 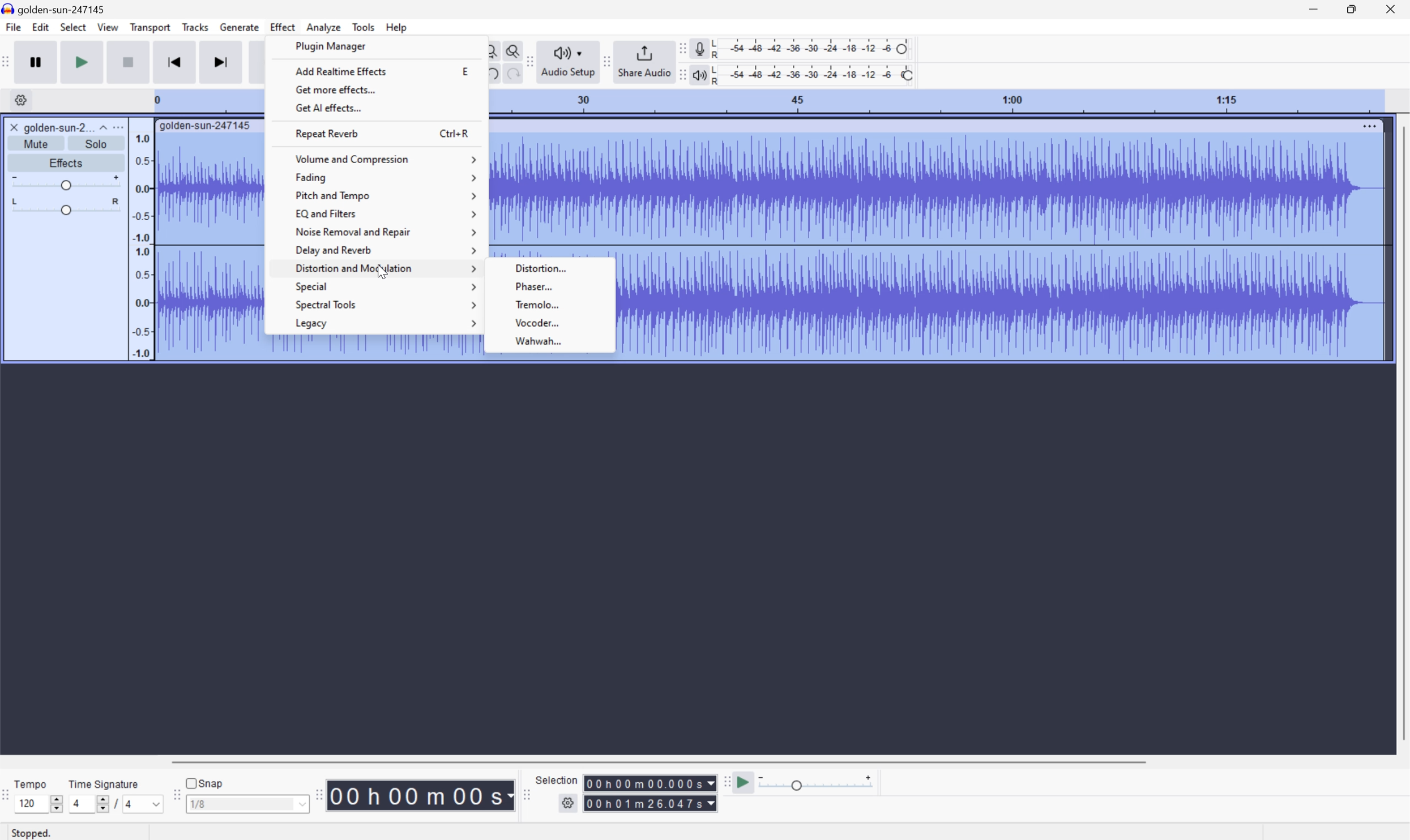 What do you see at coordinates (725, 780) in the screenshot?
I see `Audacity play at speed toolbar` at bounding box center [725, 780].